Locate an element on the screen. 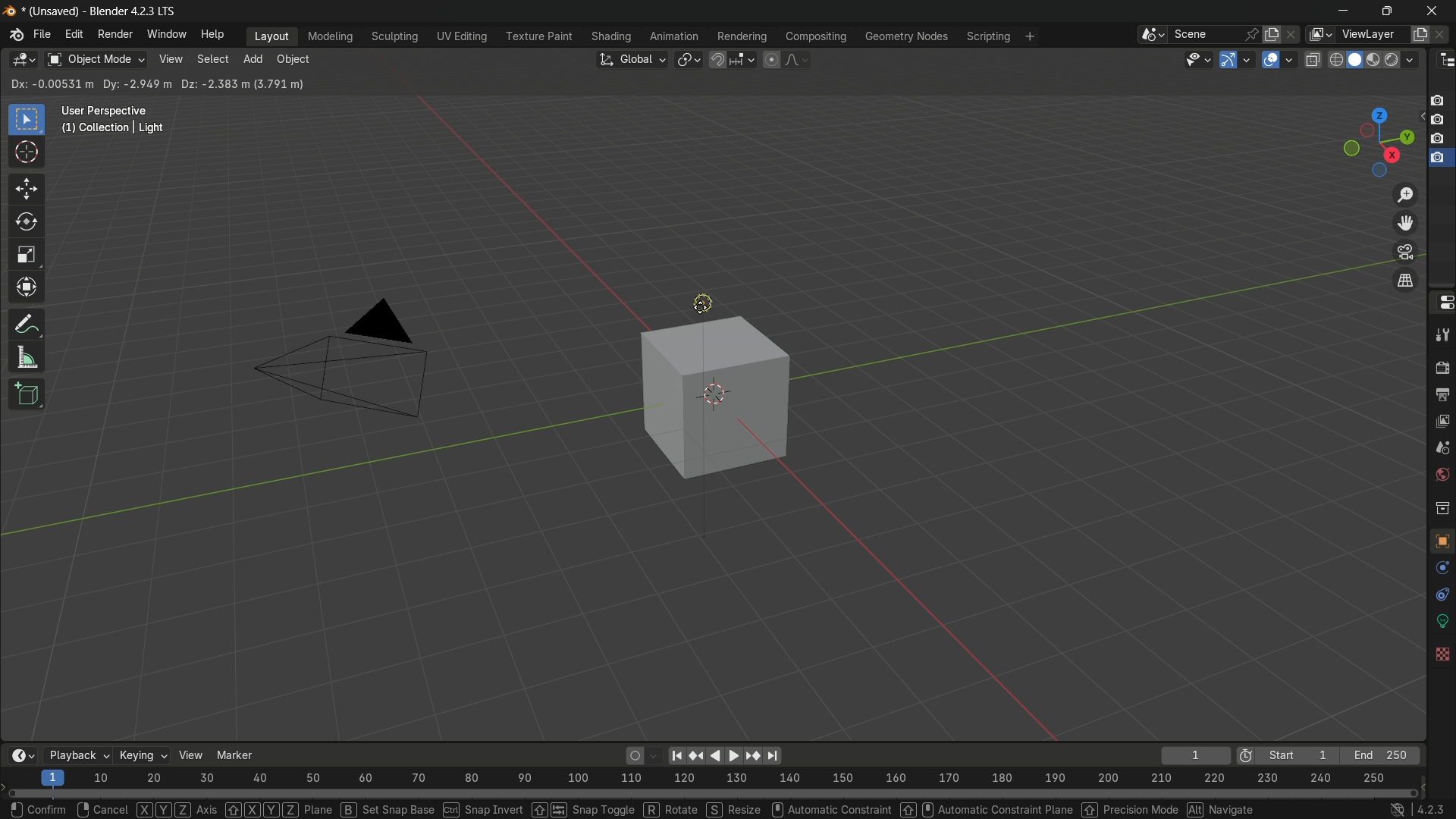 This screenshot has height=819, width=1456. browse scene is located at coordinates (1153, 36).